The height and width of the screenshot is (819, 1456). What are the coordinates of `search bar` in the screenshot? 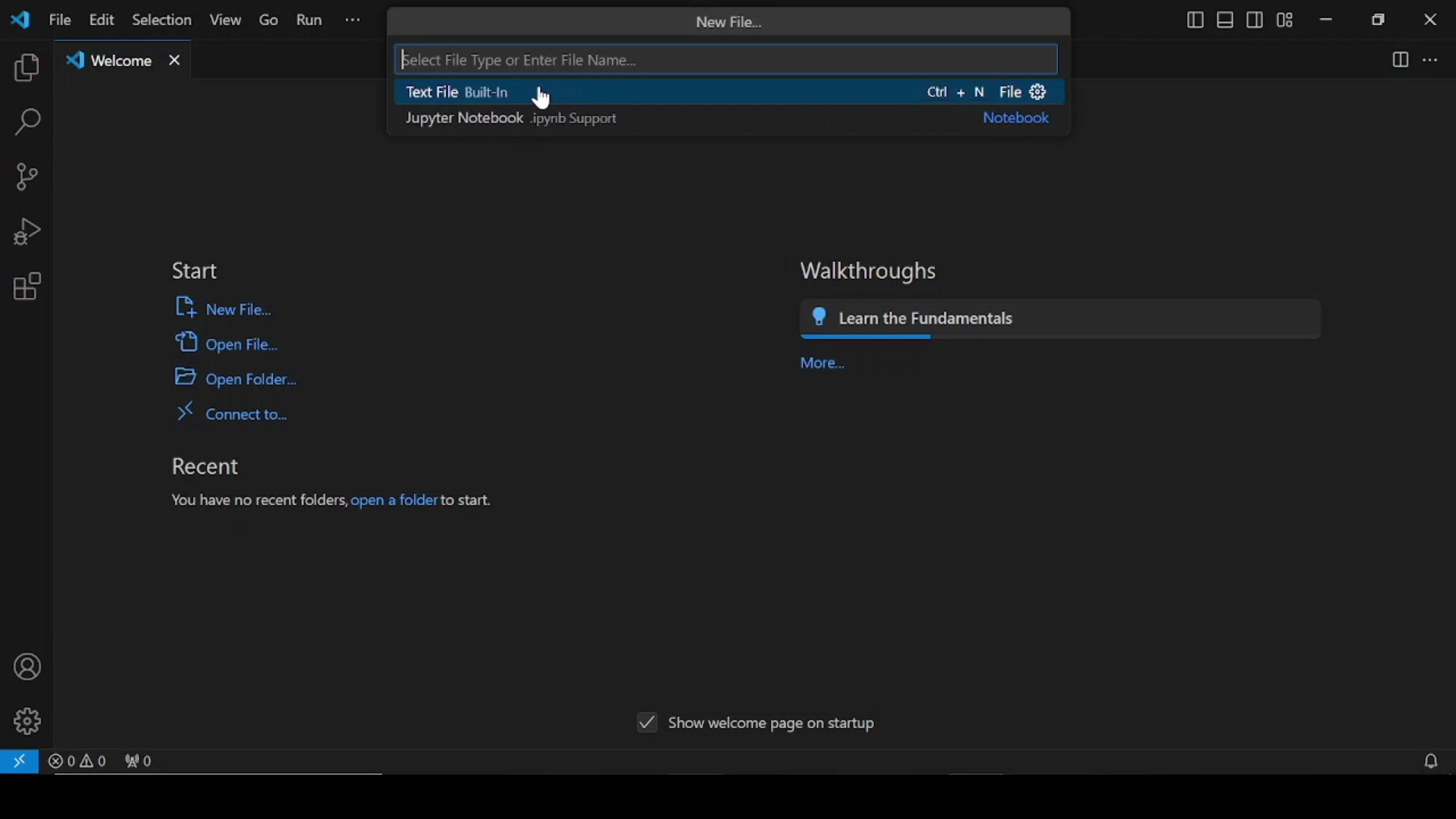 It's located at (760, 20).